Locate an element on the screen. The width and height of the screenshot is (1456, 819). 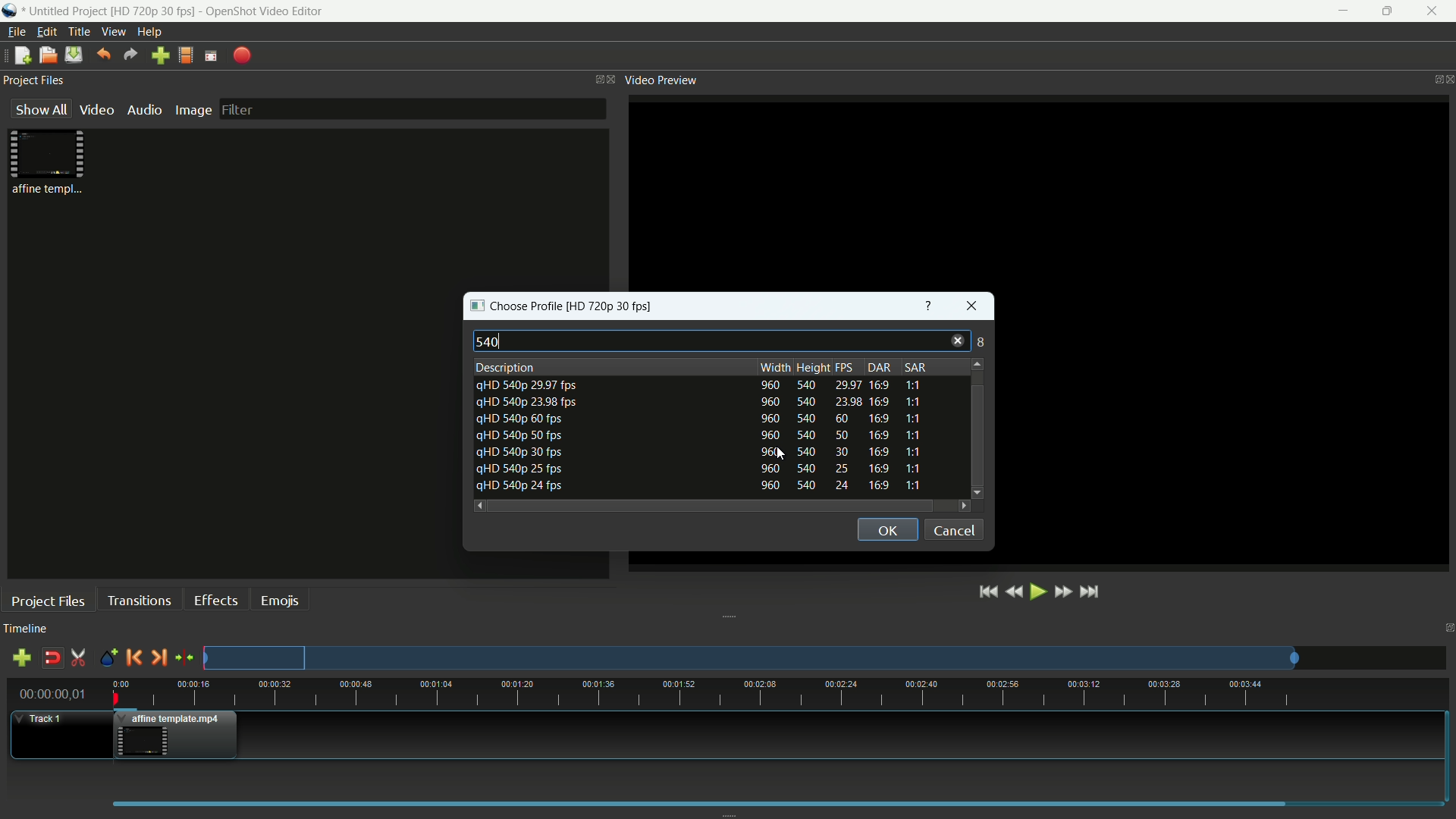
add track is located at coordinates (24, 657).